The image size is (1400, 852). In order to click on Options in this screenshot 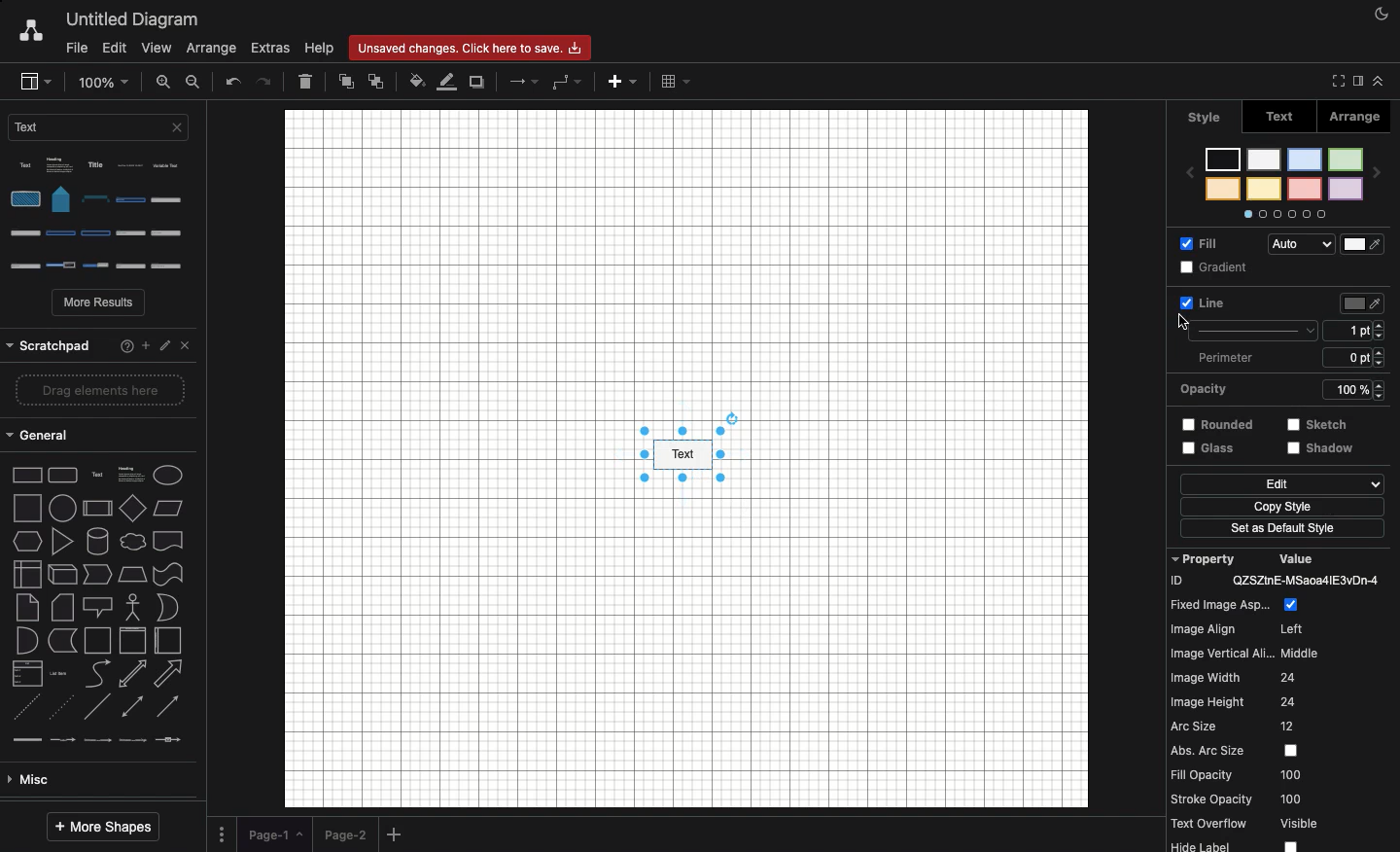, I will do `click(104, 216)`.